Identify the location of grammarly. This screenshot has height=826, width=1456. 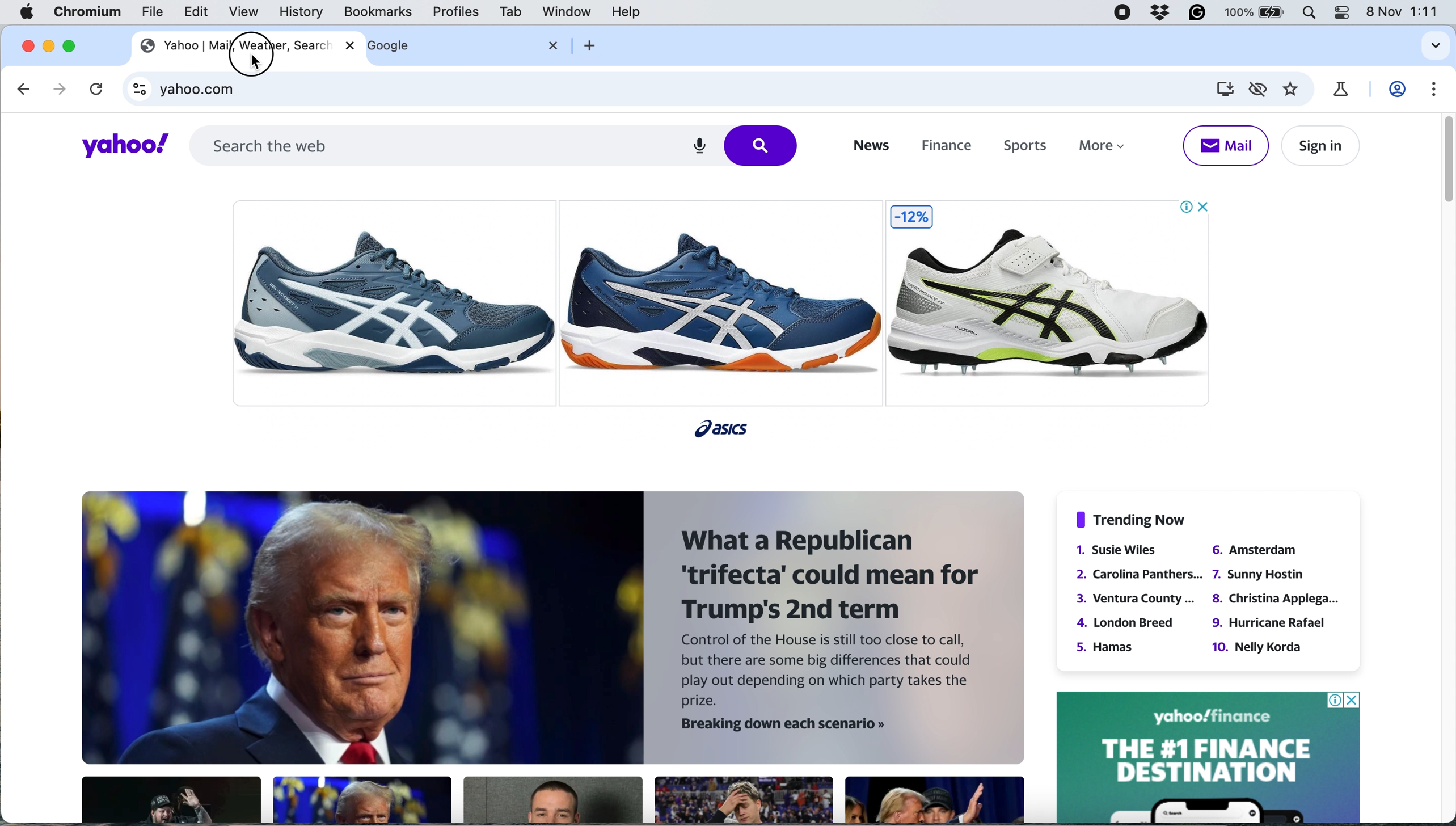
(1198, 14).